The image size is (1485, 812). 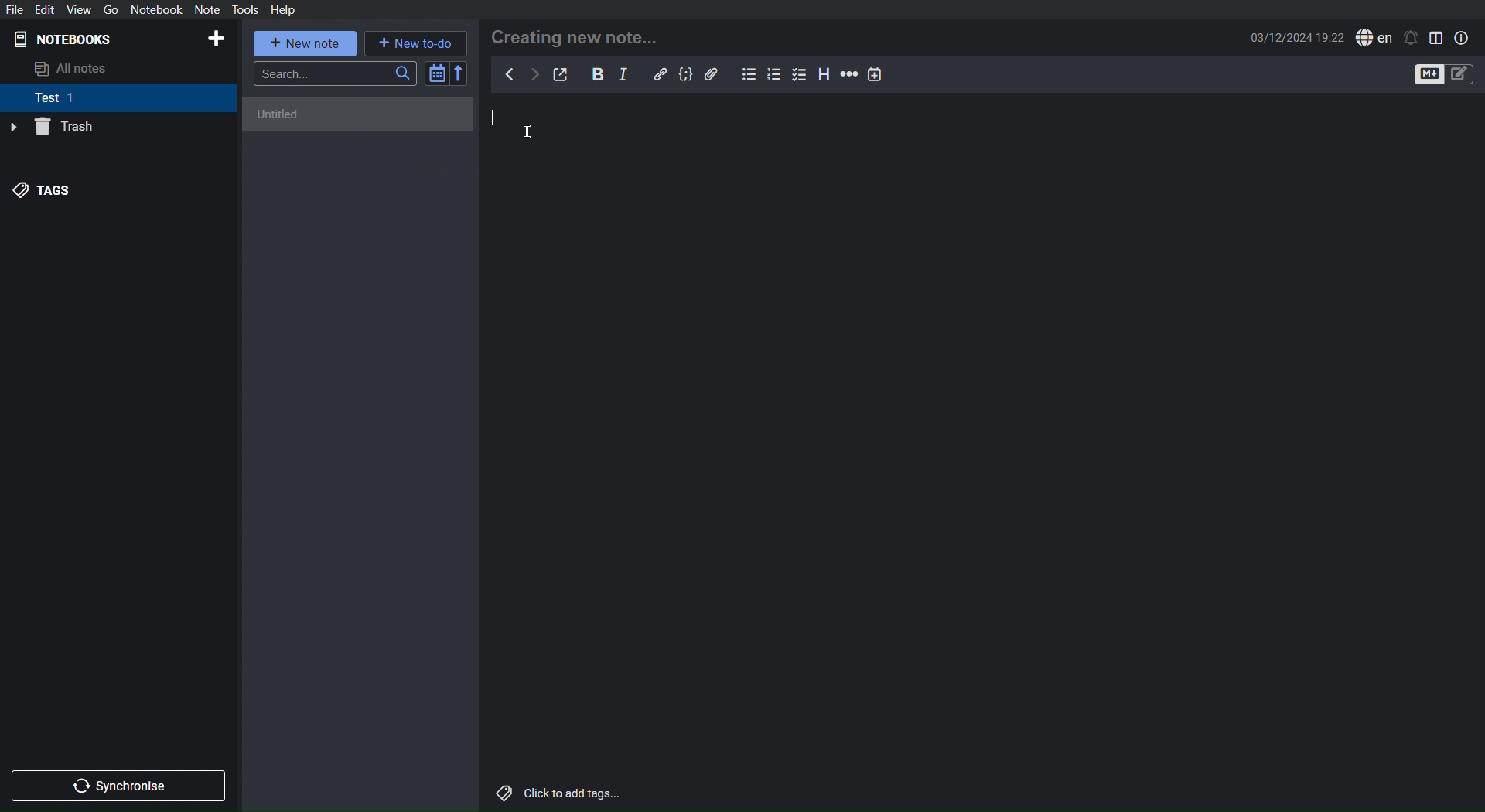 What do you see at coordinates (598, 73) in the screenshot?
I see `Bold` at bounding box center [598, 73].